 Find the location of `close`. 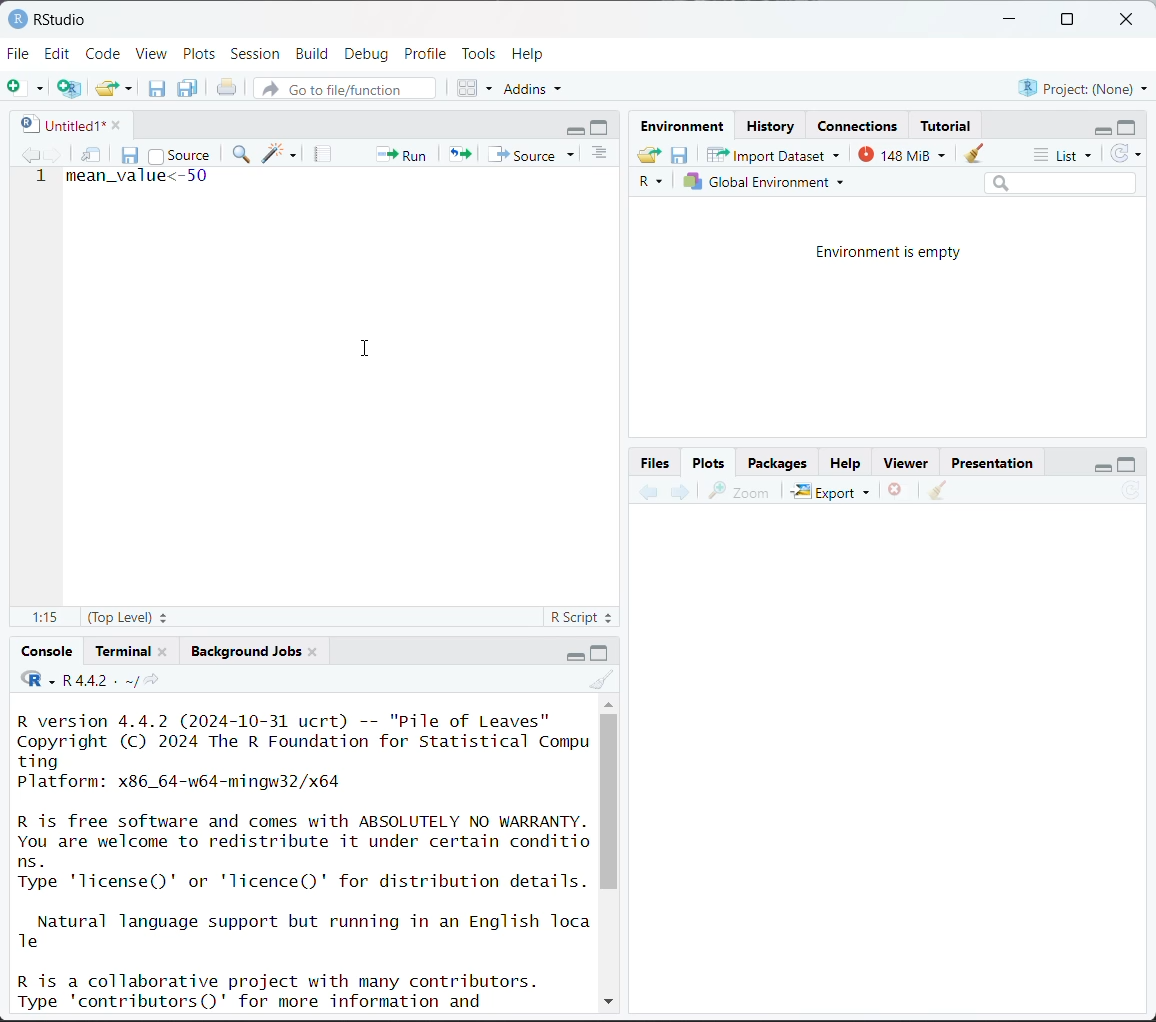

close is located at coordinates (313, 650).